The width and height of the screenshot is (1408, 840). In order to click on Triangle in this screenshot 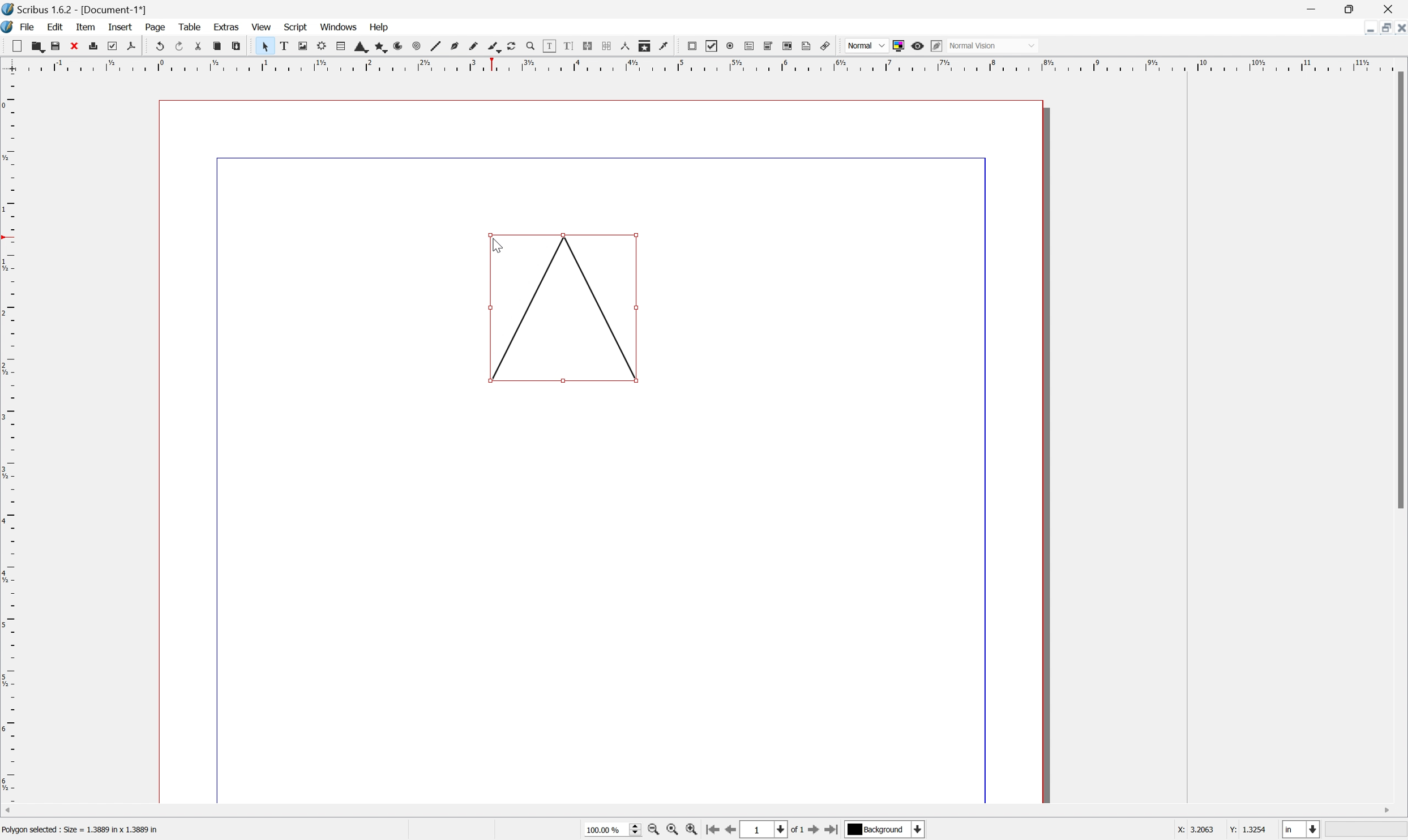, I will do `click(564, 308)`.